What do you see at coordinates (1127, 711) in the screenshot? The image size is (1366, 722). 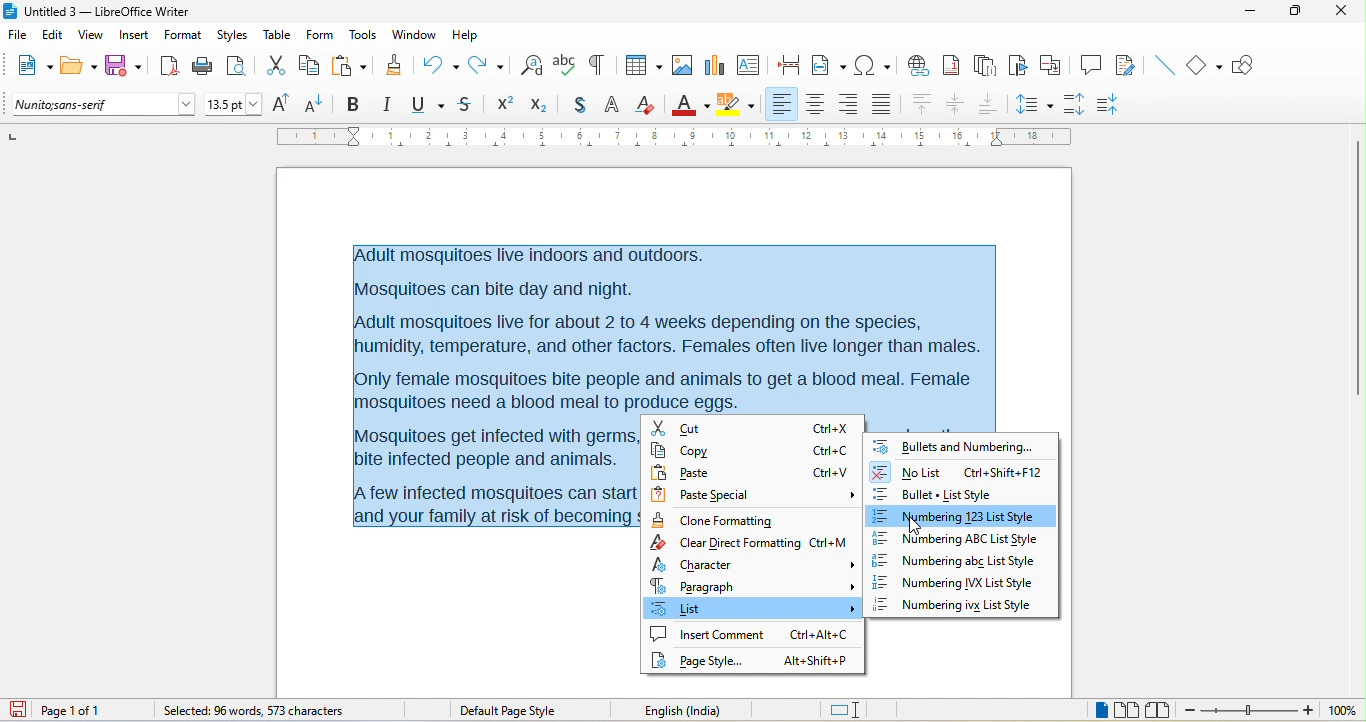 I see `multiple page view` at bounding box center [1127, 711].